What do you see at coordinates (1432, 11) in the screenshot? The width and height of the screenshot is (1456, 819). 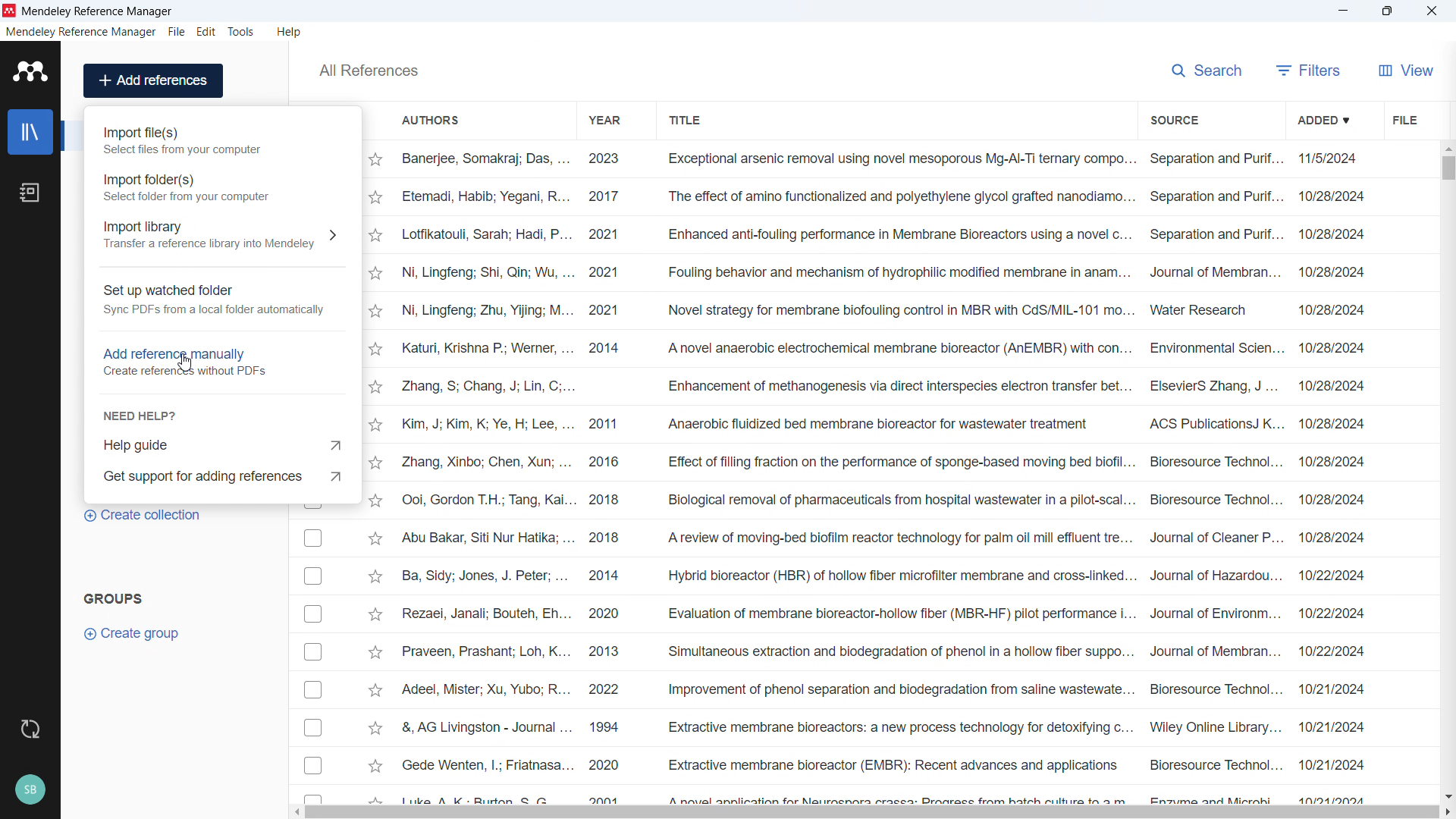 I see `Close` at bounding box center [1432, 11].